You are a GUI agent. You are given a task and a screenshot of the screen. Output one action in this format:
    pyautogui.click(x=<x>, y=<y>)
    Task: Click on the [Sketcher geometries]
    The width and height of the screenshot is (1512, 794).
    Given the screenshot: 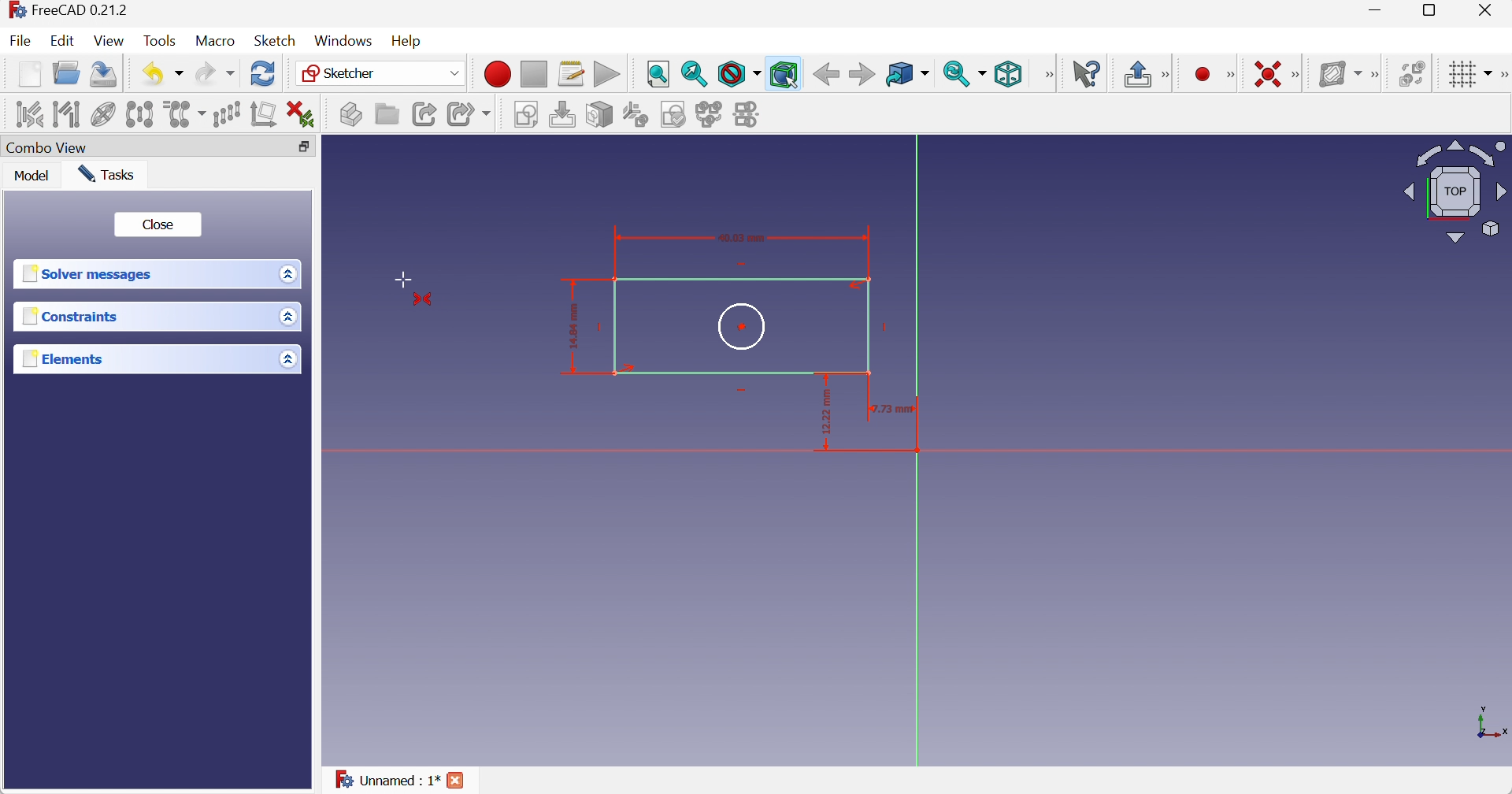 What is the action you would take?
    pyautogui.click(x=1230, y=75)
    